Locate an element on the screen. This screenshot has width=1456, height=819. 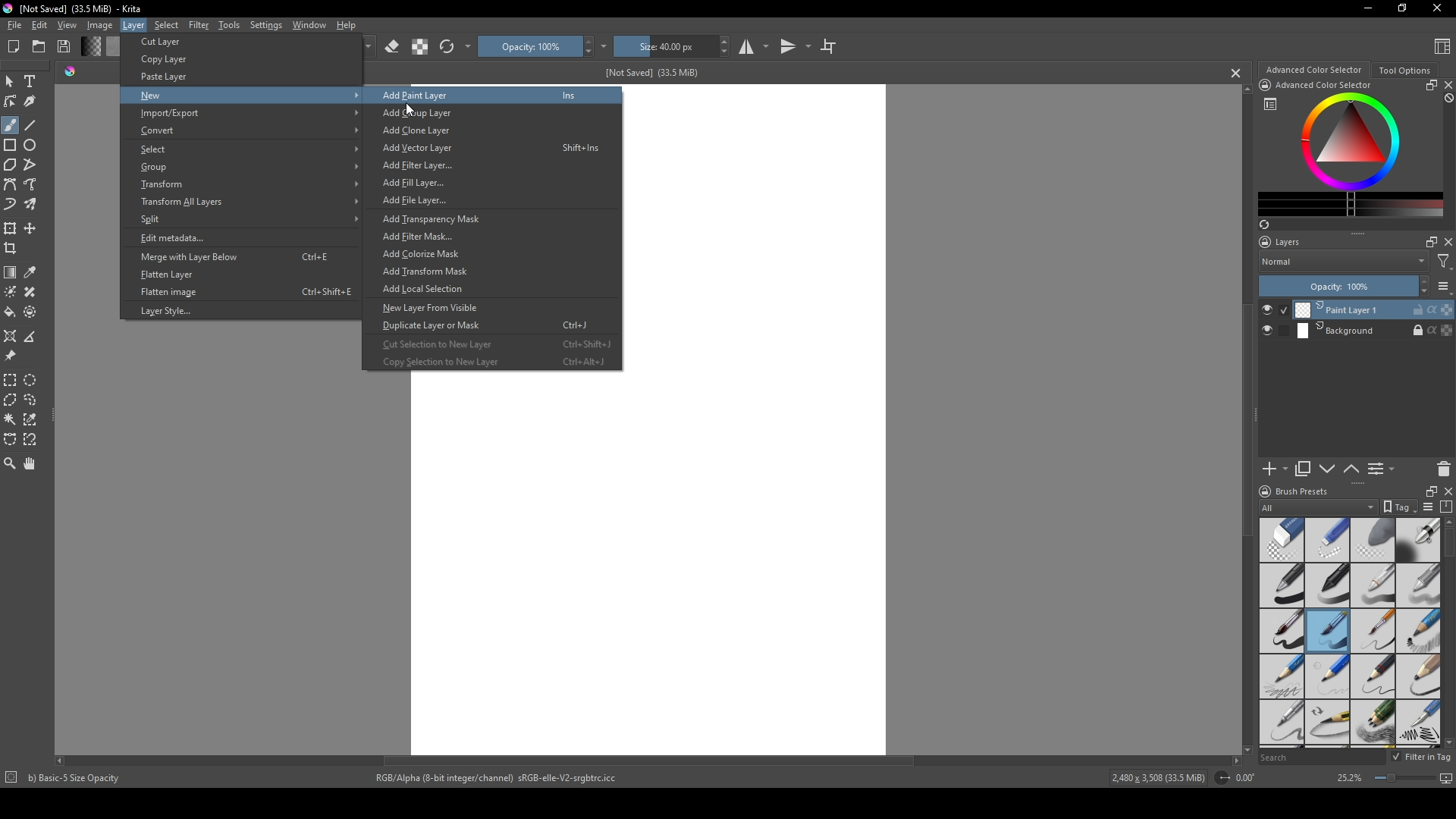
Image is located at coordinates (99, 25).